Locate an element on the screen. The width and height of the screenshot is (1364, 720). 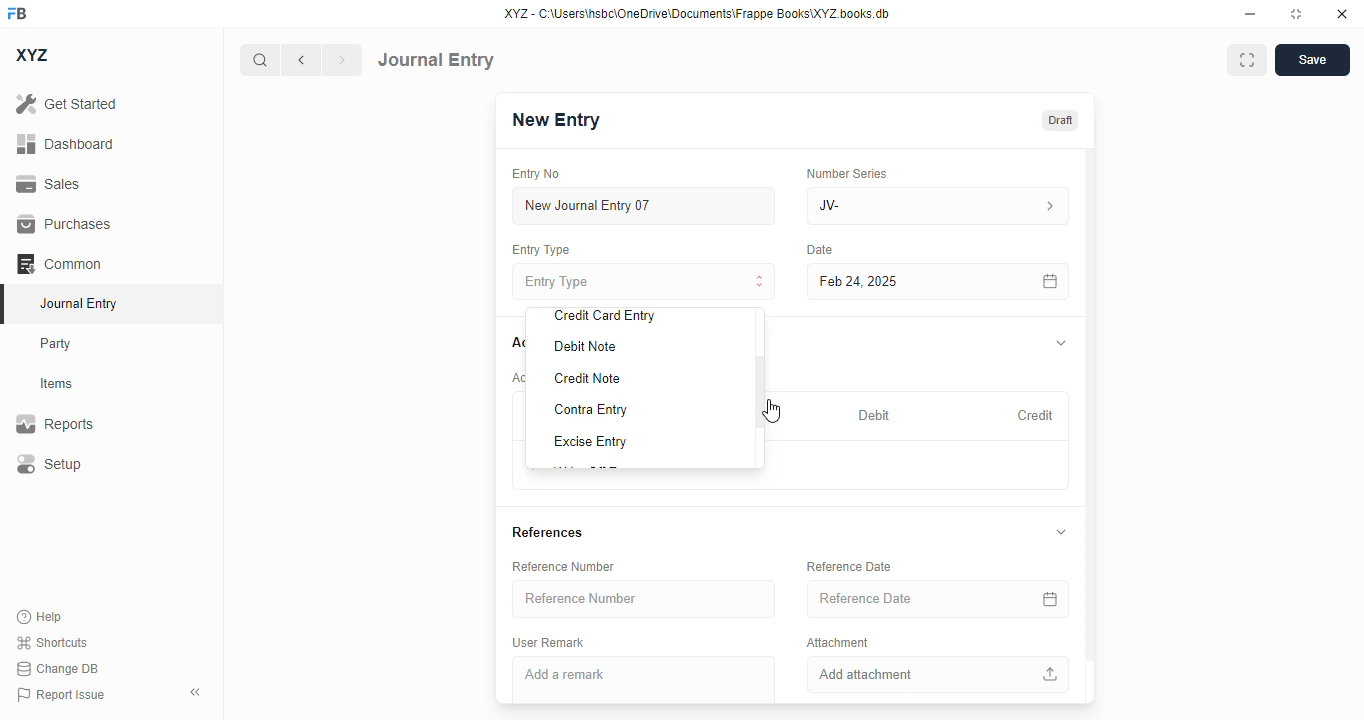
FB - logo is located at coordinates (17, 13).